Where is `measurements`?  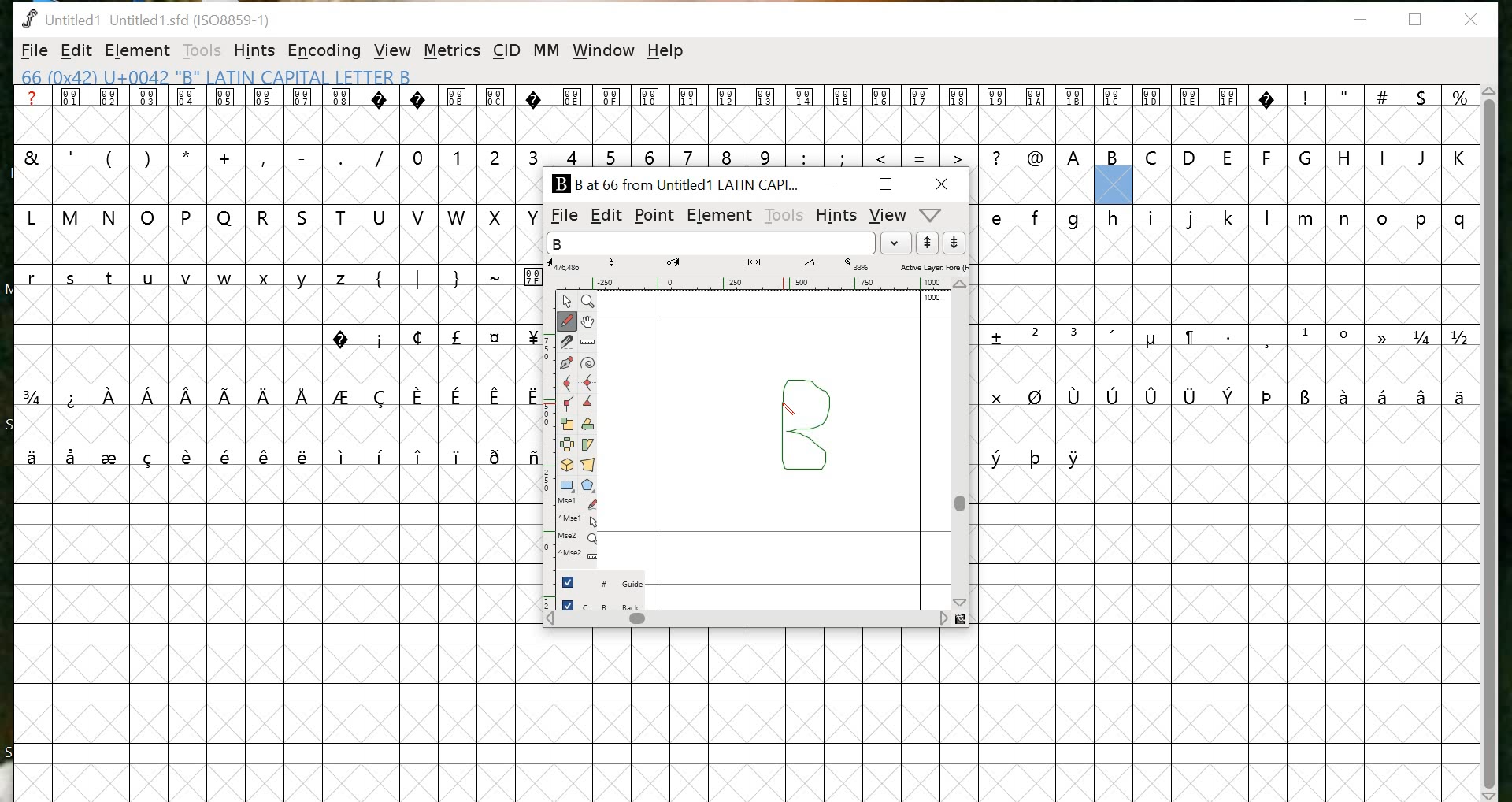
measurements is located at coordinates (760, 265).